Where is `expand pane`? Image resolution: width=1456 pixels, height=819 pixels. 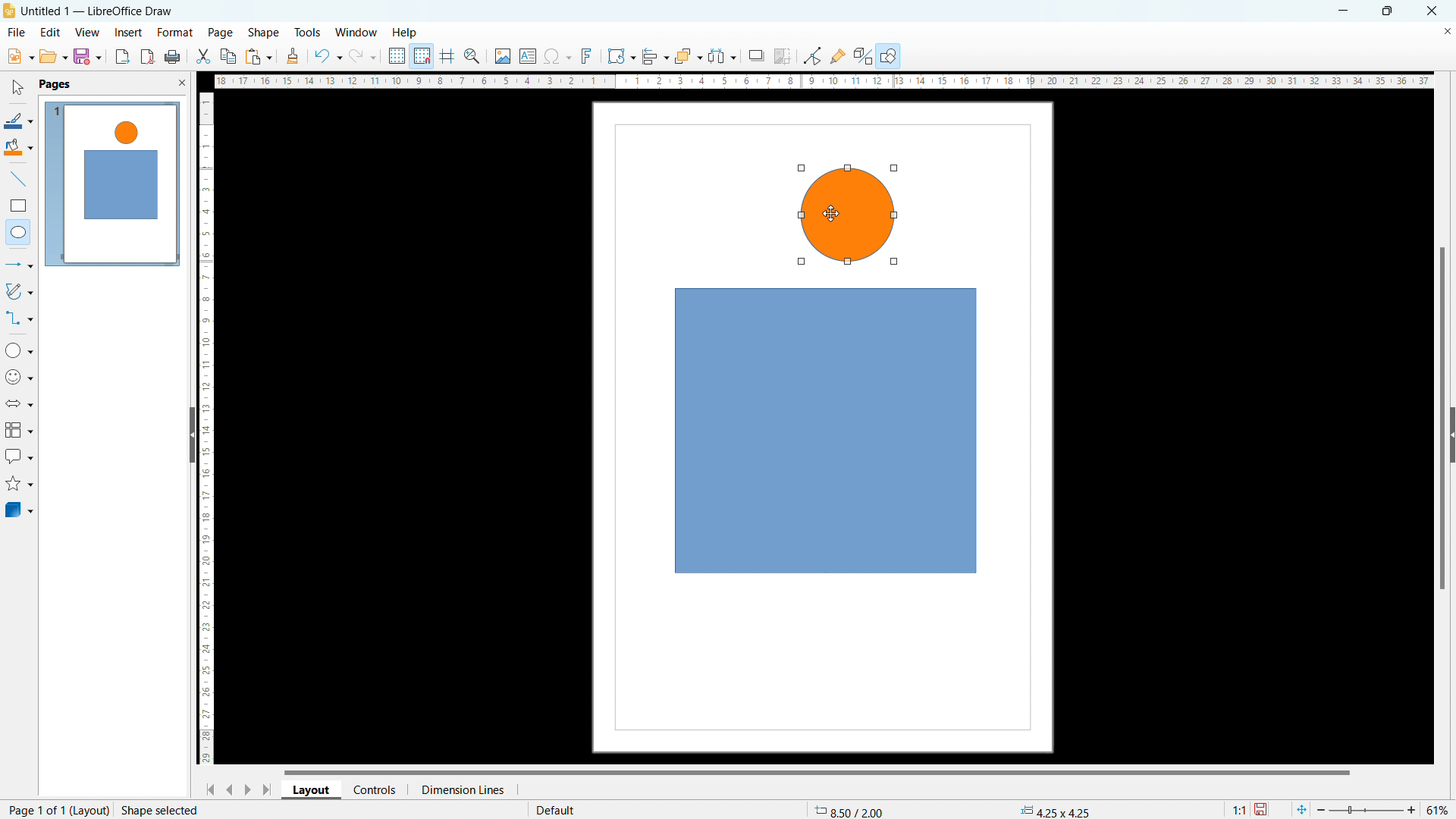
expand pane is located at coordinates (1451, 435).